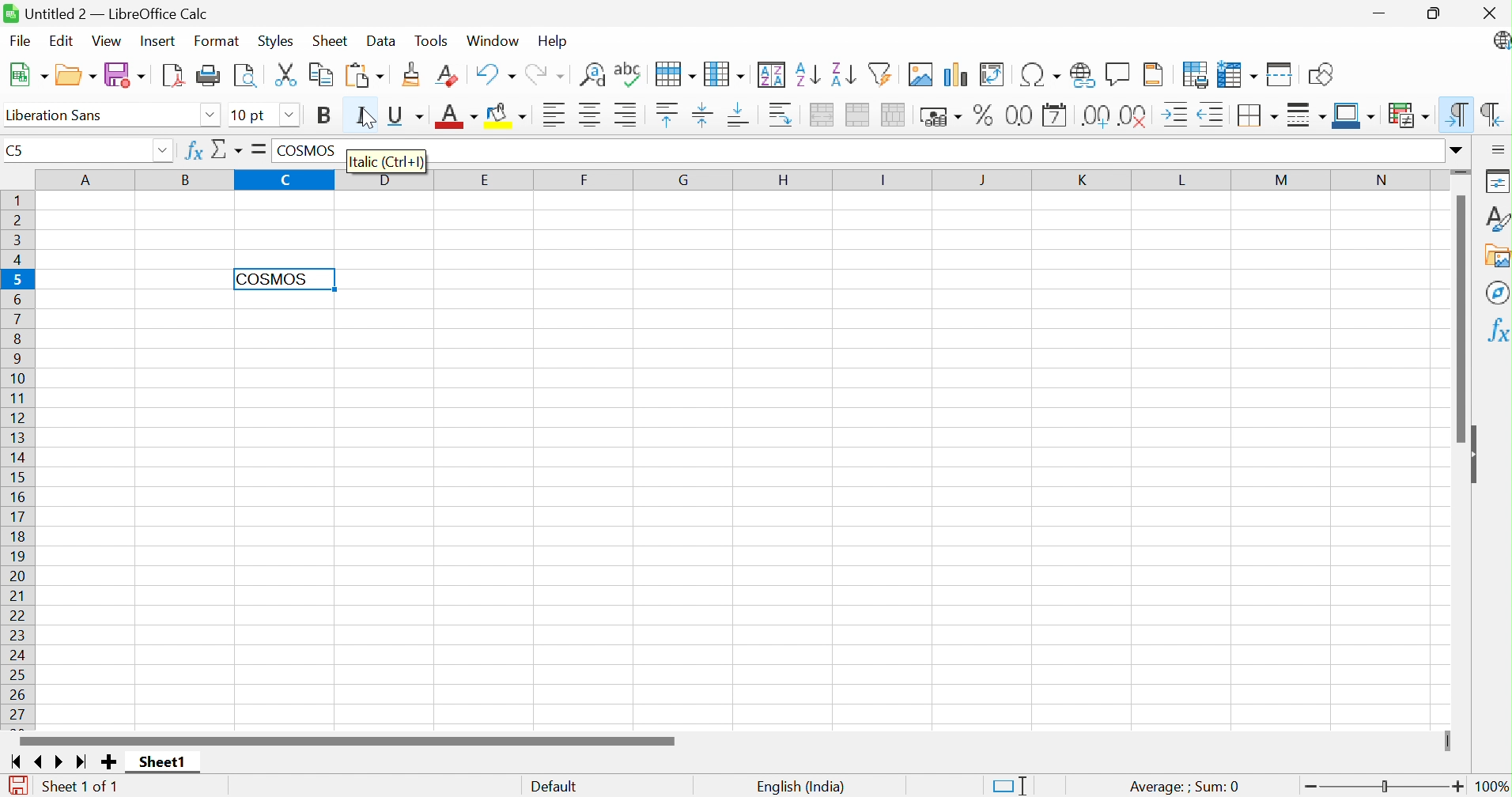 This screenshot has width=1512, height=797. What do you see at coordinates (413, 72) in the screenshot?
I see `Clone formatting` at bounding box center [413, 72].